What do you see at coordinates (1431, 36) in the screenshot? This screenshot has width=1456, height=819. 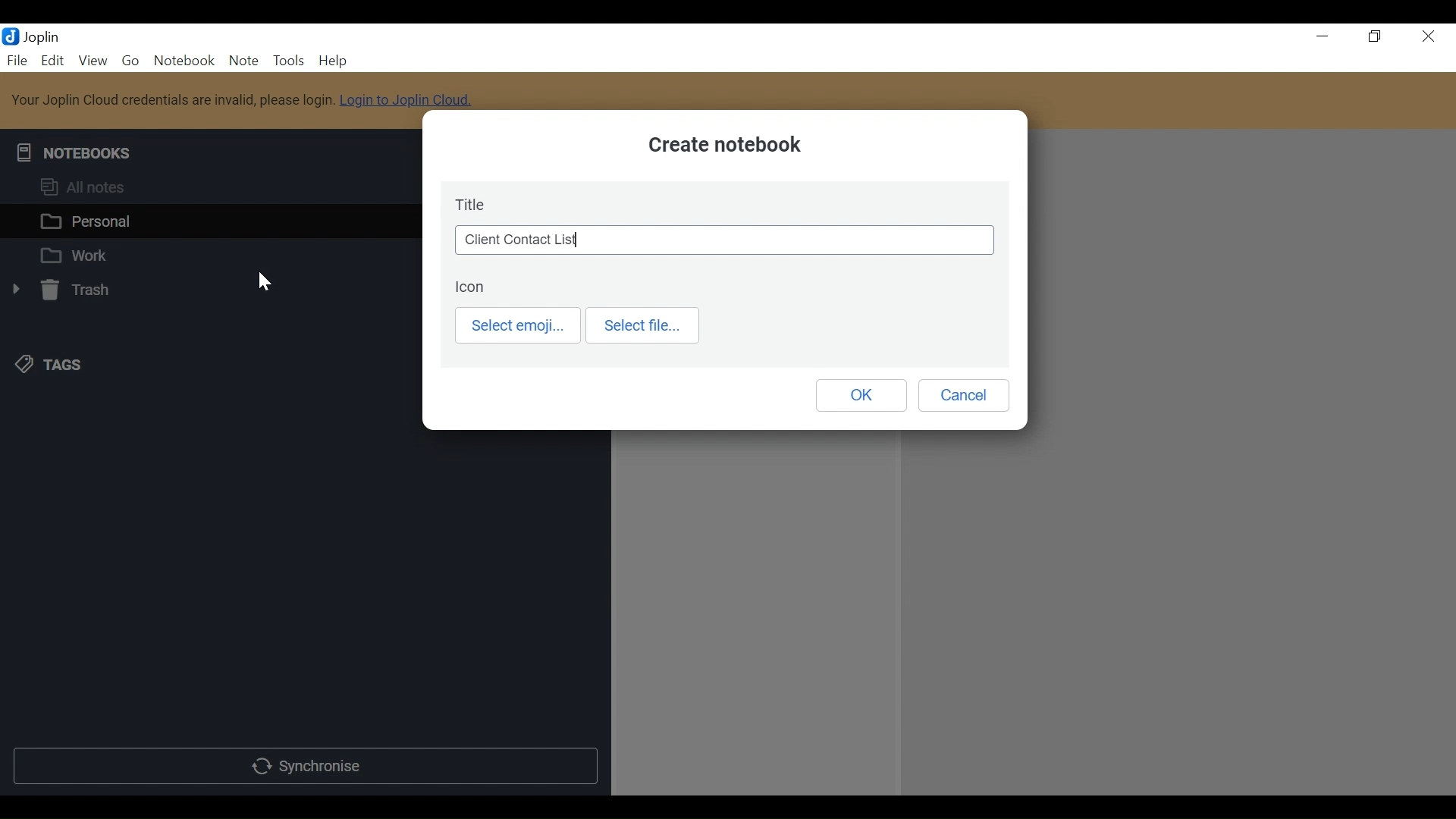 I see `Close` at bounding box center [1431, 36].